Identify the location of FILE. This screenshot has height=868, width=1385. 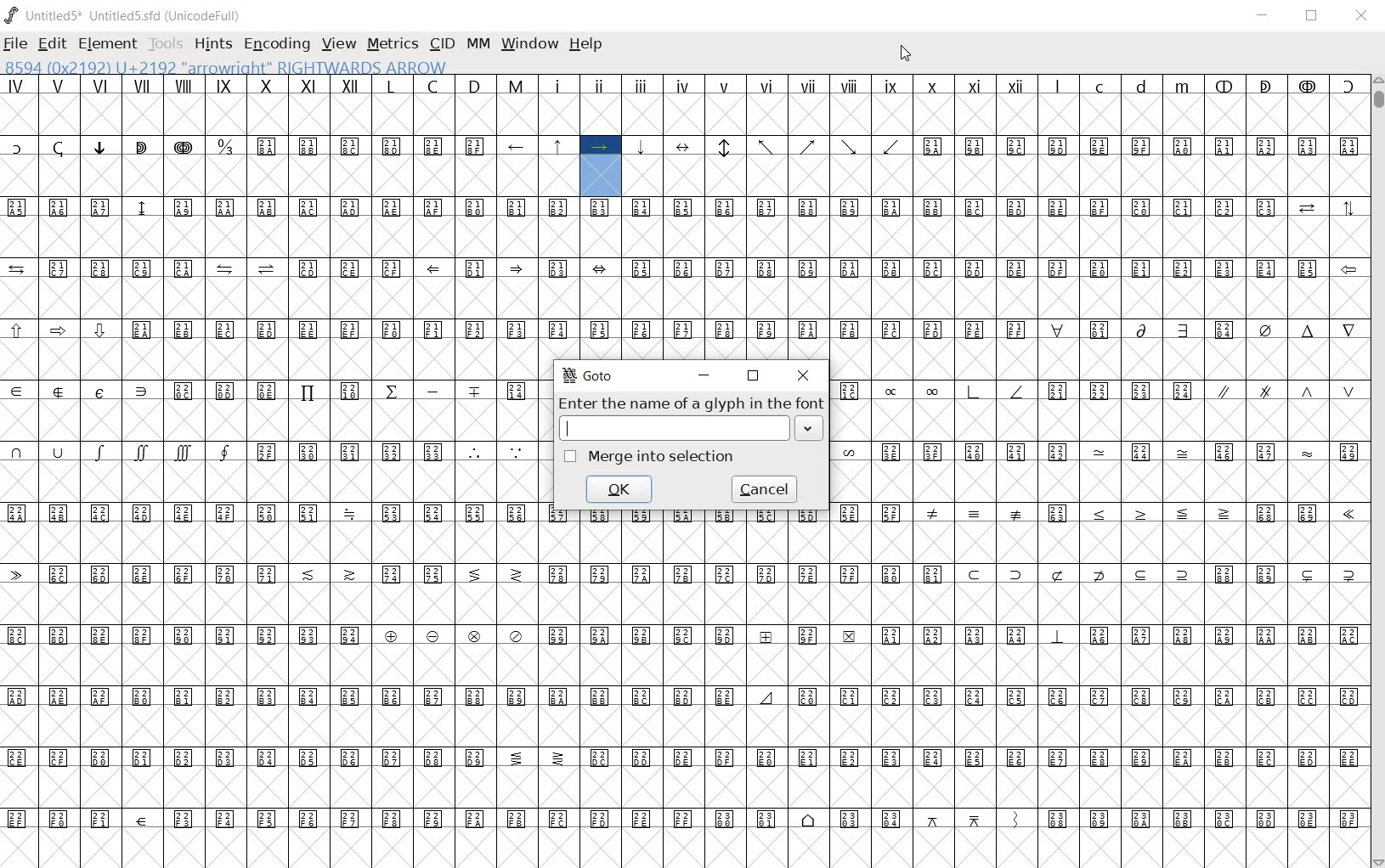
(15, 46).